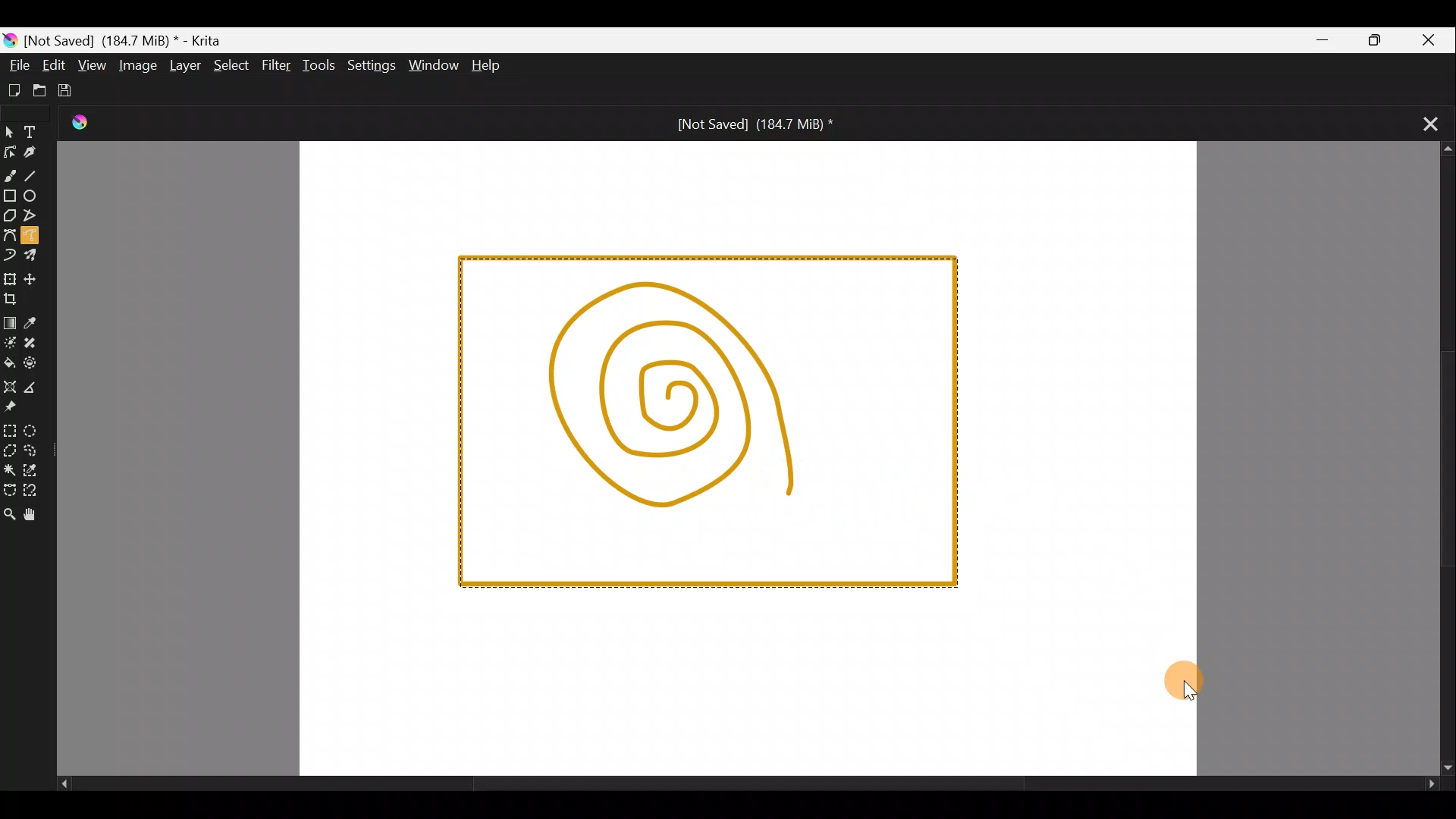 The height and width of the screenshot is (819, 1456). What do you see at coordinates (231, 66) in the screenshot?
I see `Select` at bounding box center [231, 66].